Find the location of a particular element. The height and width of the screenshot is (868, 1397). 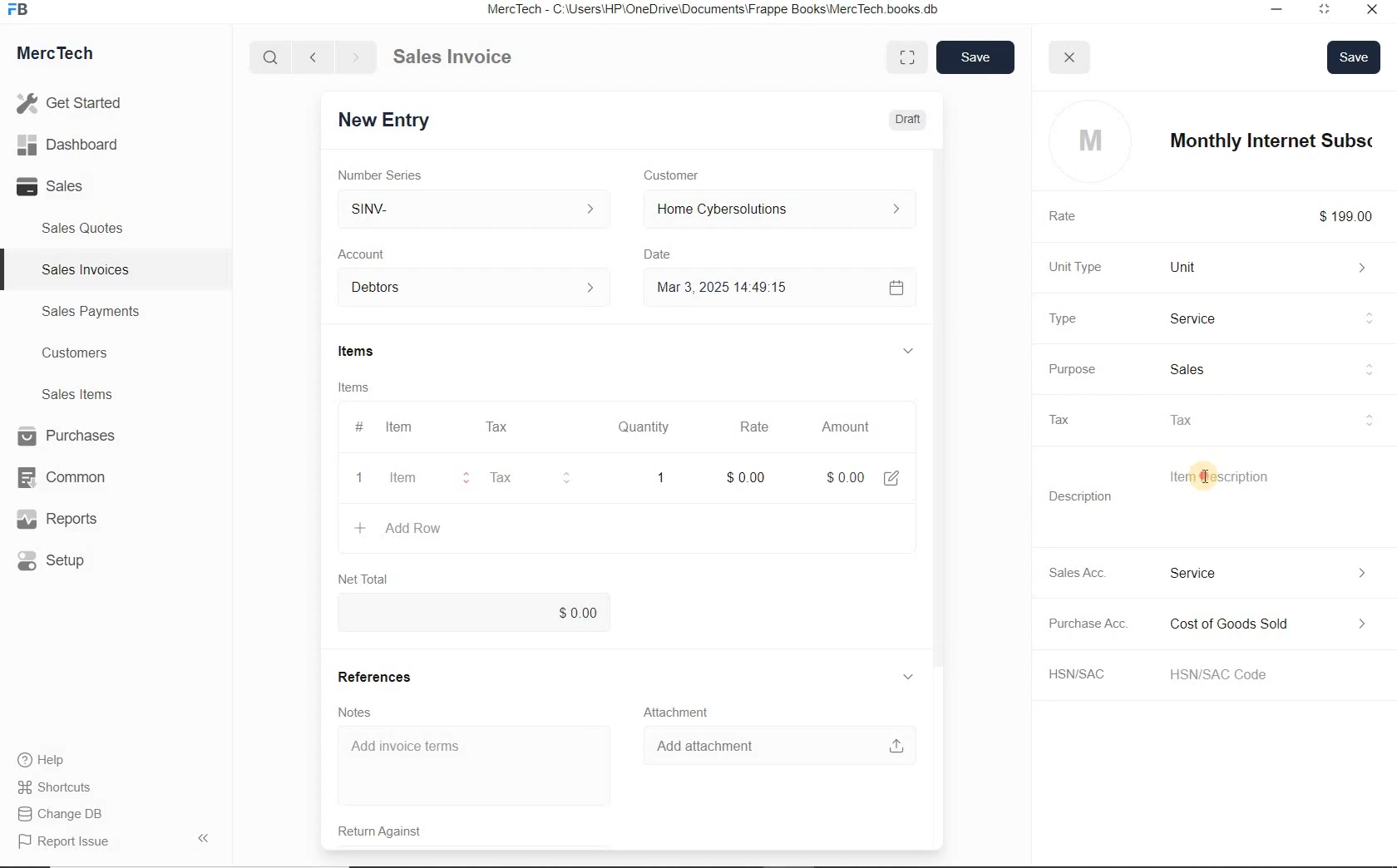

cursor is located at coordinates (1207, 475).